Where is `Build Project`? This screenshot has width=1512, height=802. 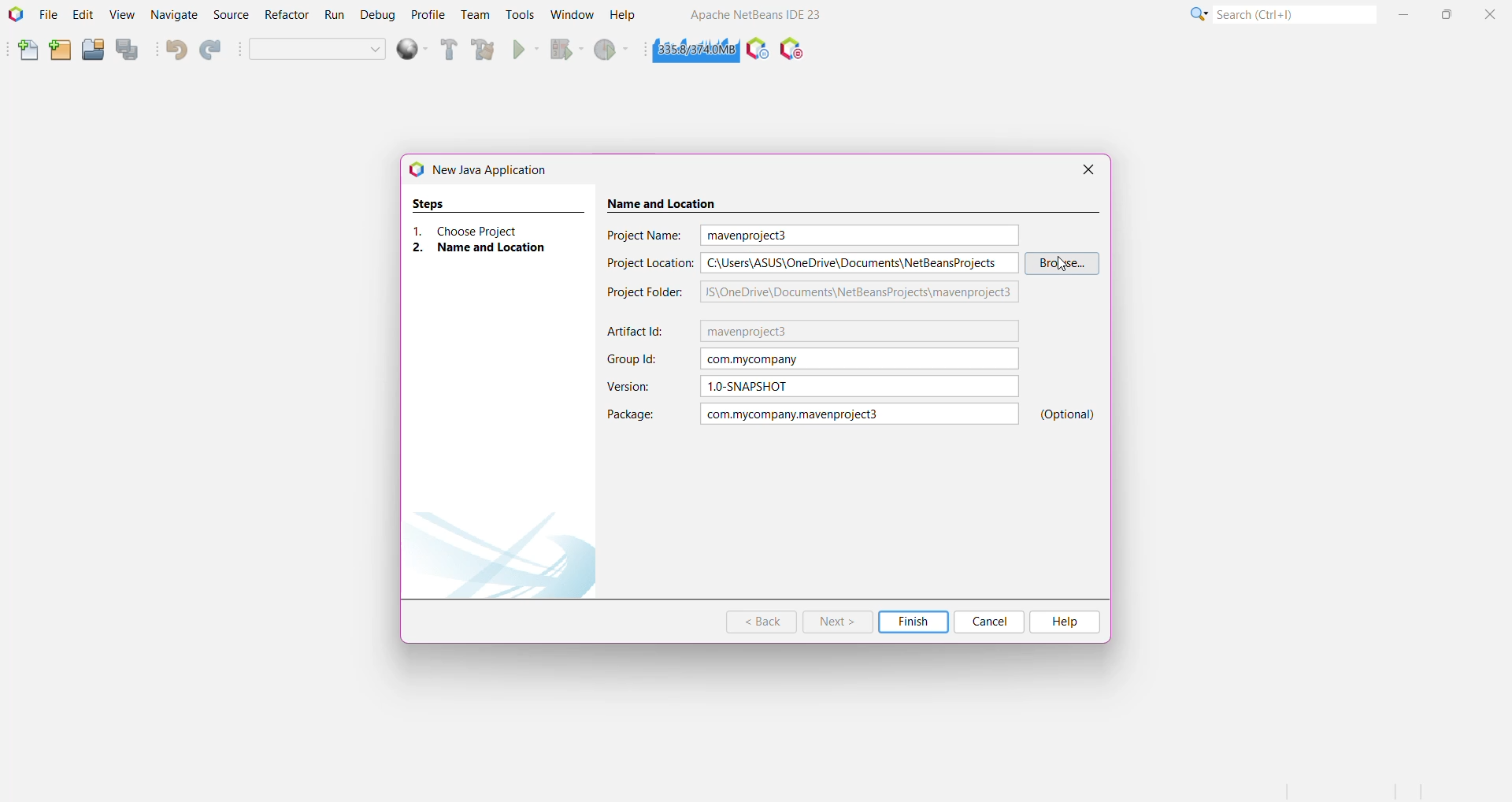 Build Project is located at coordinates (447, 51).